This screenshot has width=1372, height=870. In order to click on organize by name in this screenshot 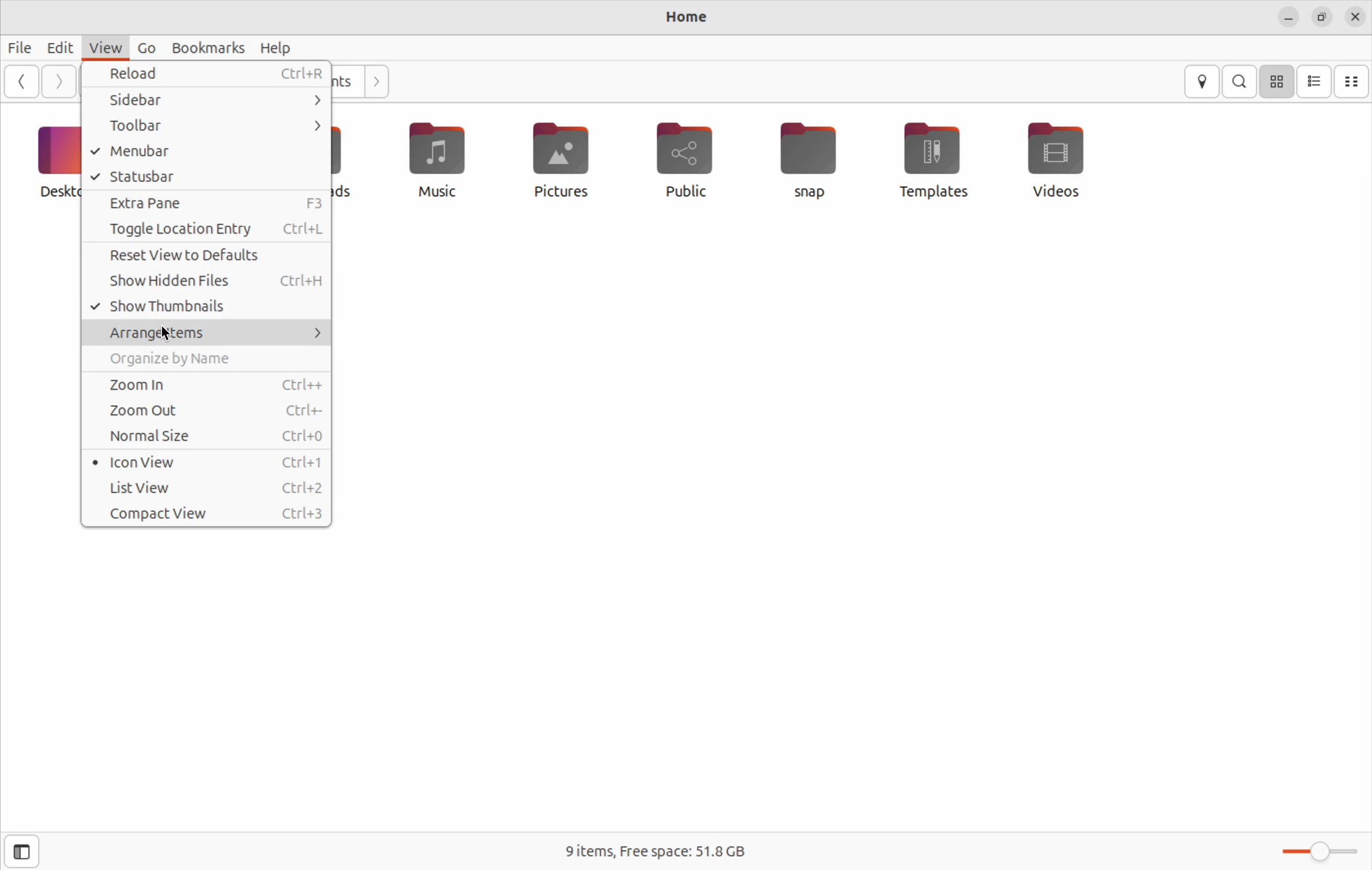, I will do `click(199, 360)`.